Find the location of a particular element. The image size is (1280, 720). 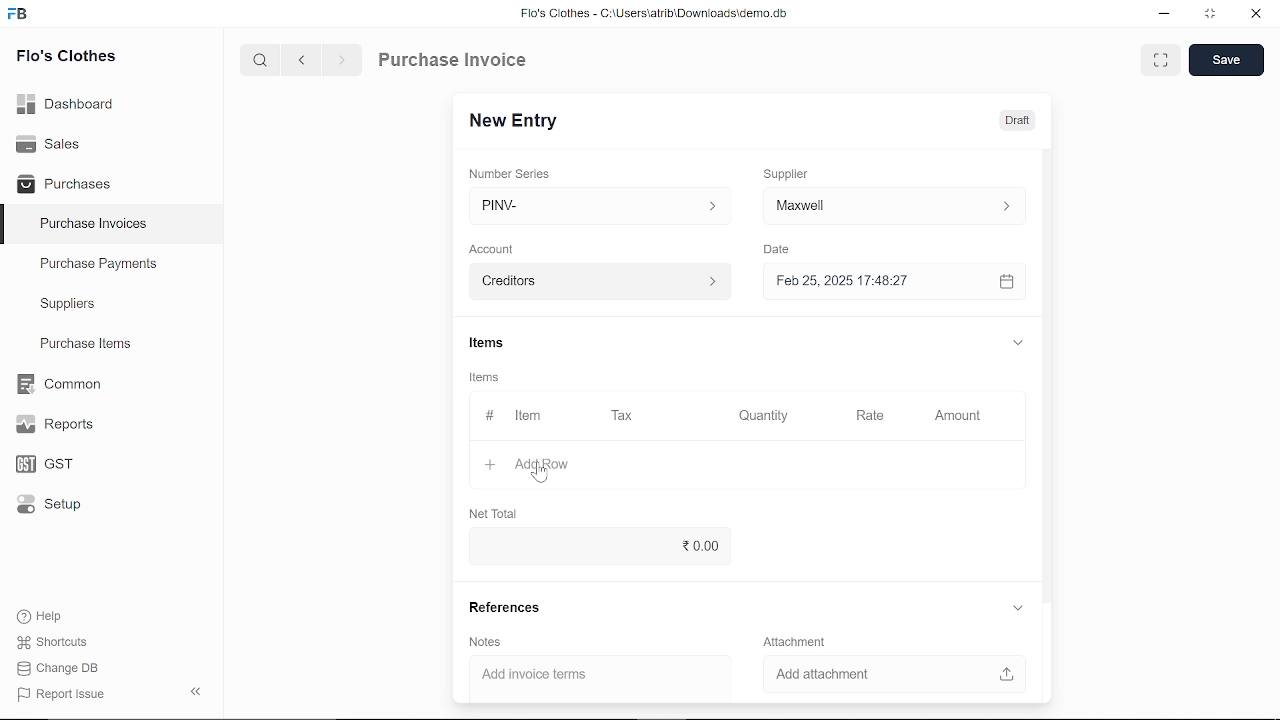

serach is located at coordinates (258, 61).